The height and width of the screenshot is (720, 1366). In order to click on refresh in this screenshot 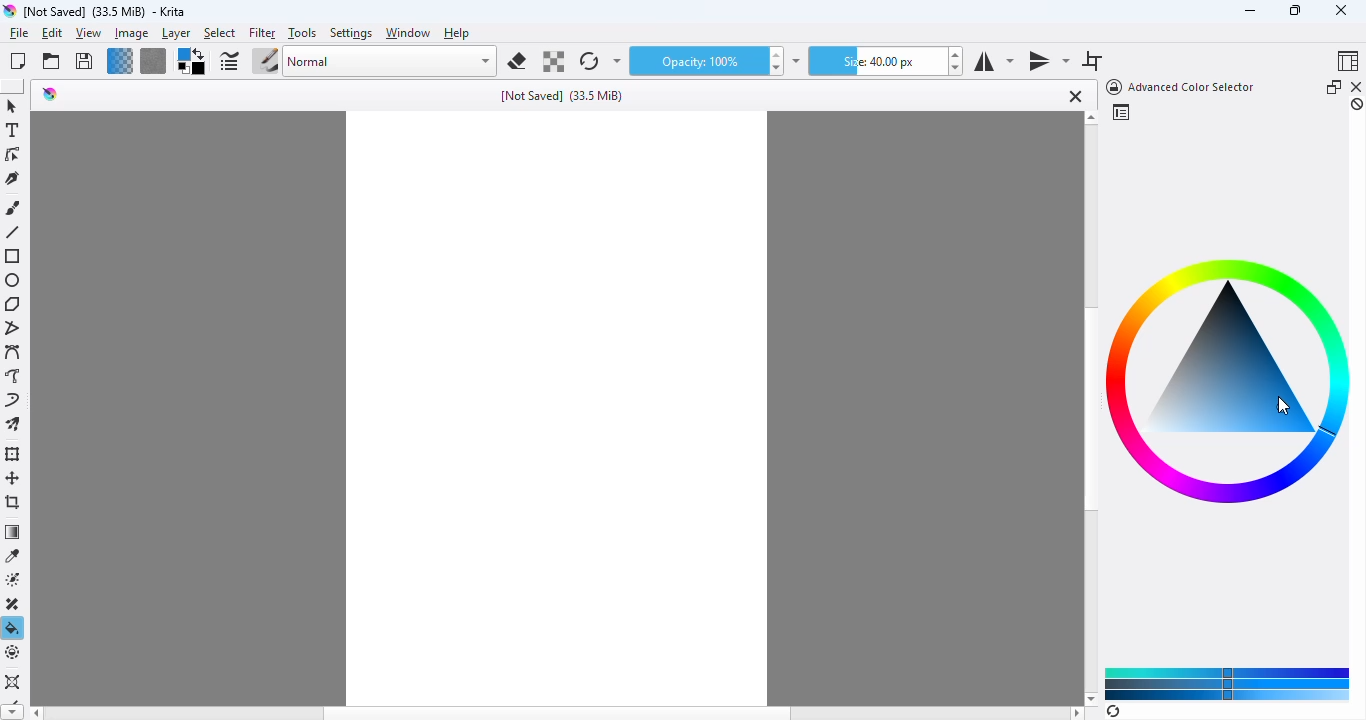, I will do `click(1113, 711)`.